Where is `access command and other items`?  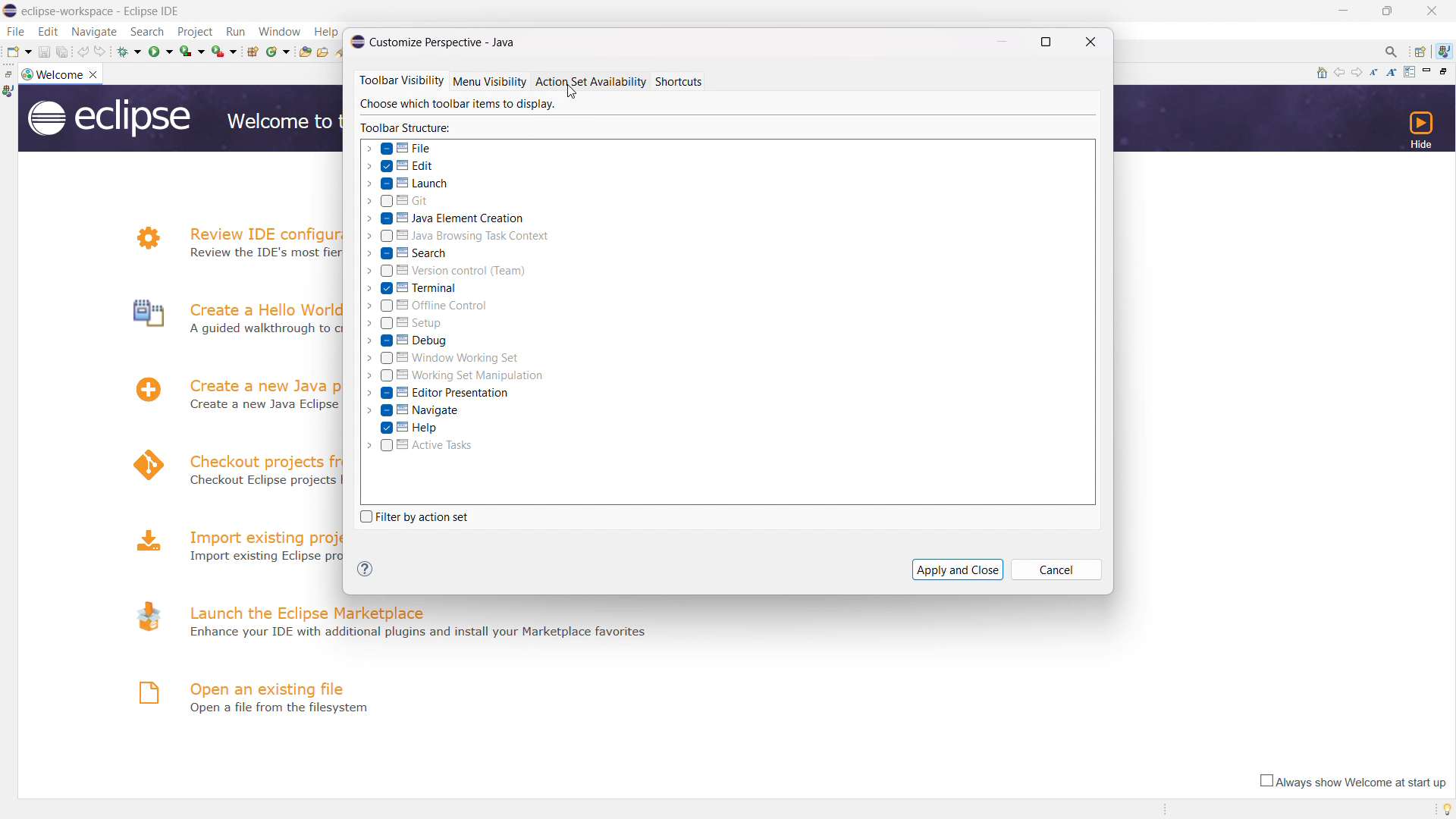
access command and other items is located at coordinates (1392, 52).